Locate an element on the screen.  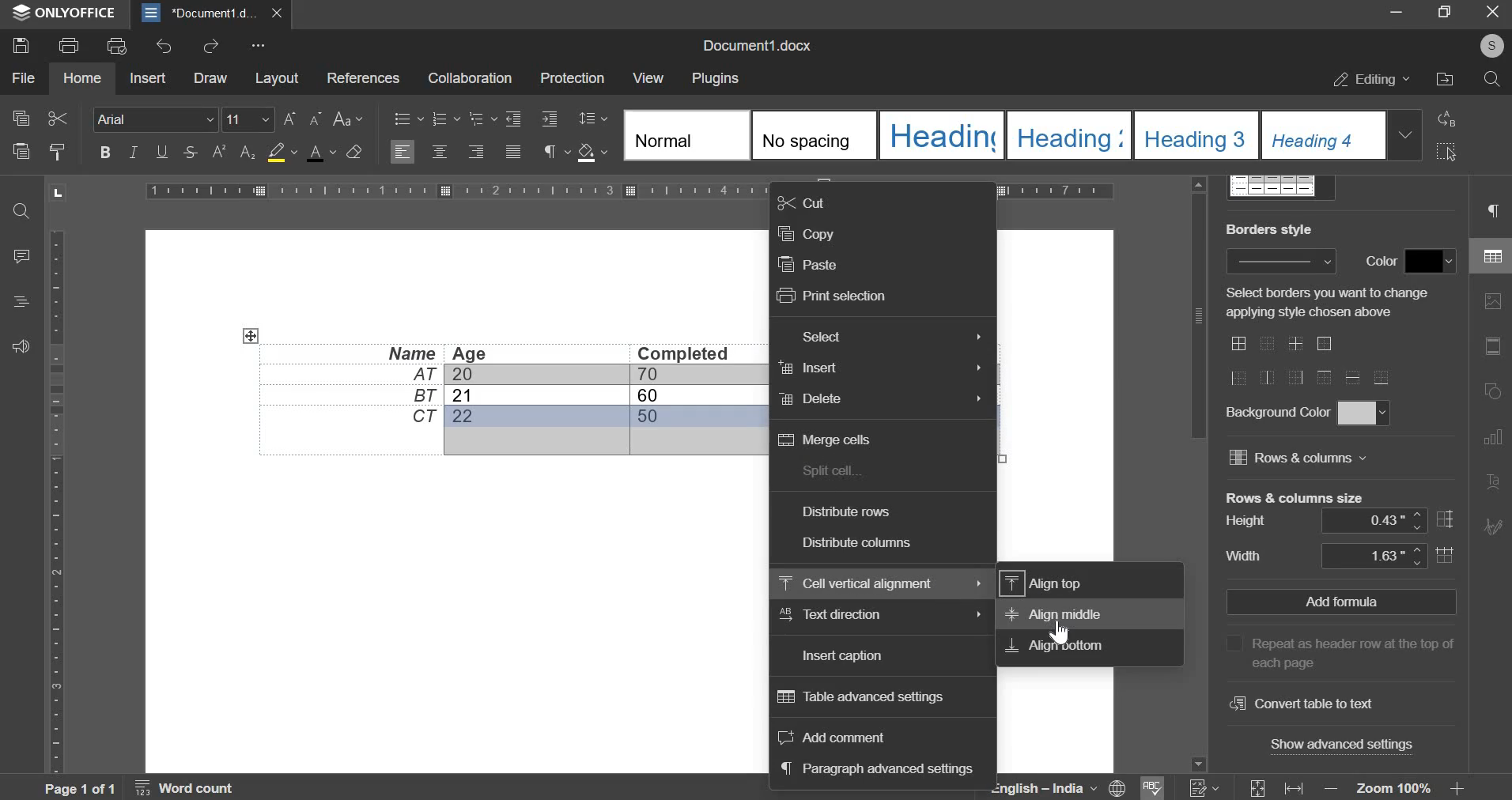
left align is located at coordinates (402, 153).